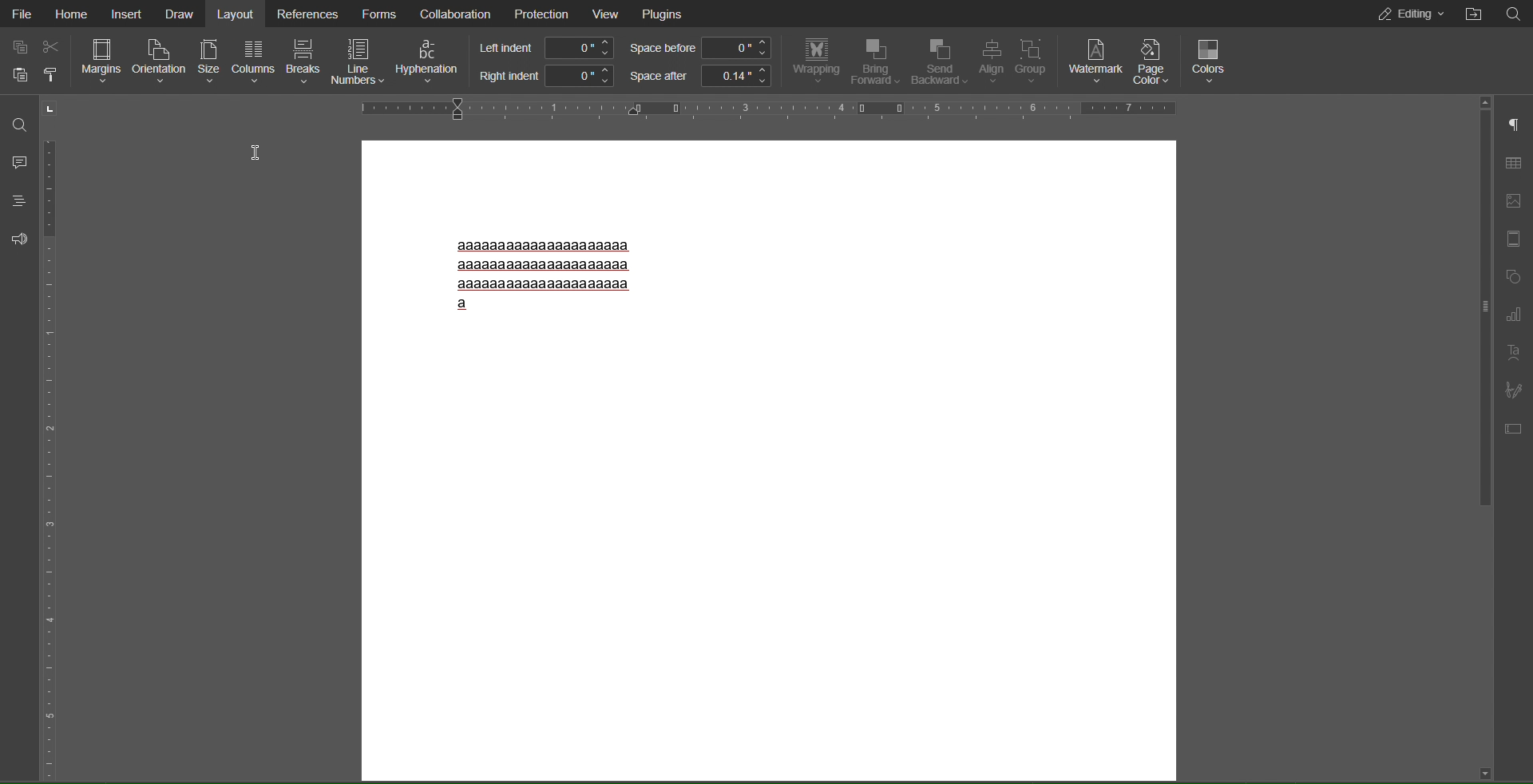 This screenshot has width=1533, height=784. What do you see at coordinates (71, 14) in the screenshot?
I see `Home` at bounding box center [71, 14].